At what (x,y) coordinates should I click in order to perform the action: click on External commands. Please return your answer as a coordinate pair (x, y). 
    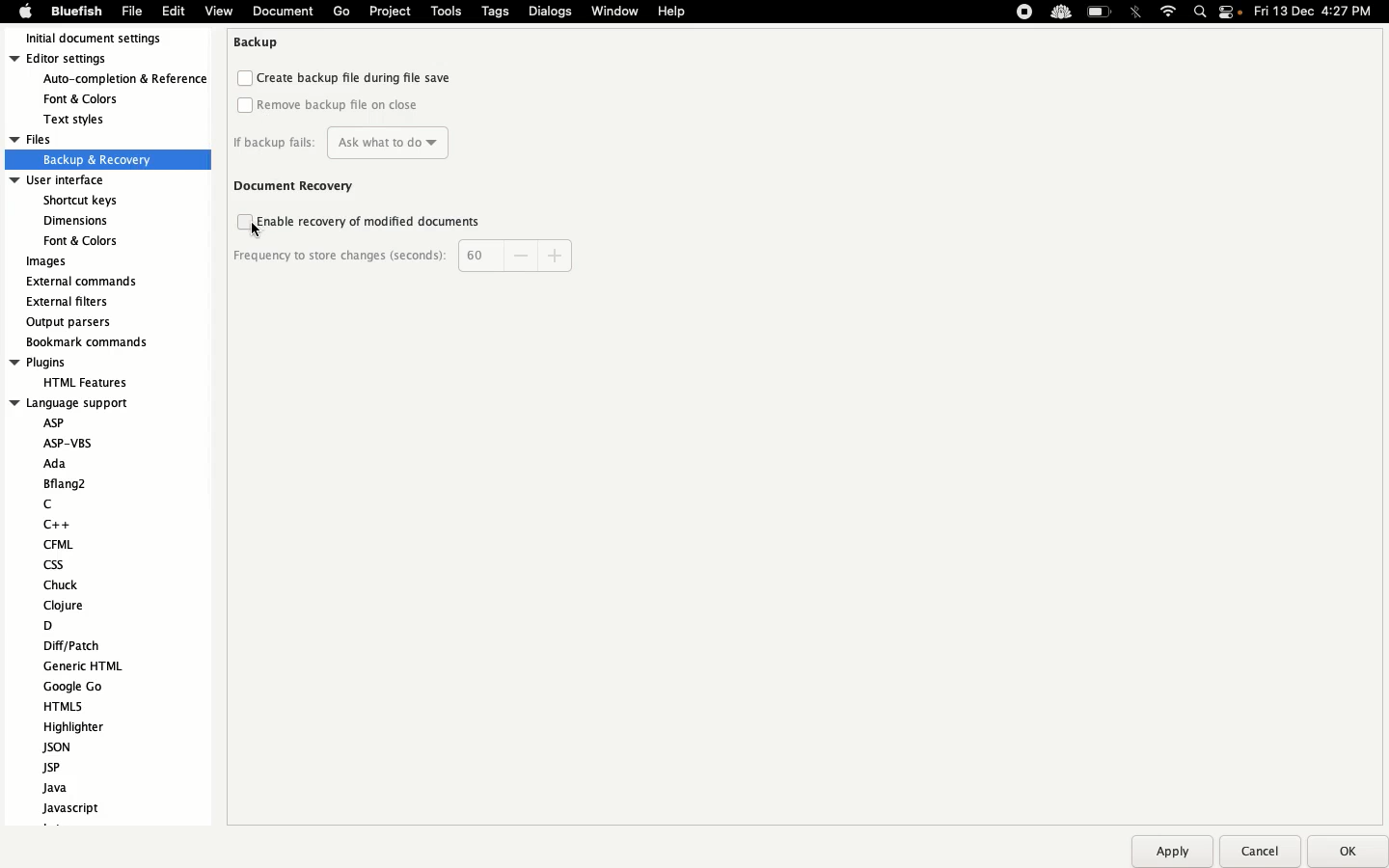
    Looking at the image, I should click on (91, 282).